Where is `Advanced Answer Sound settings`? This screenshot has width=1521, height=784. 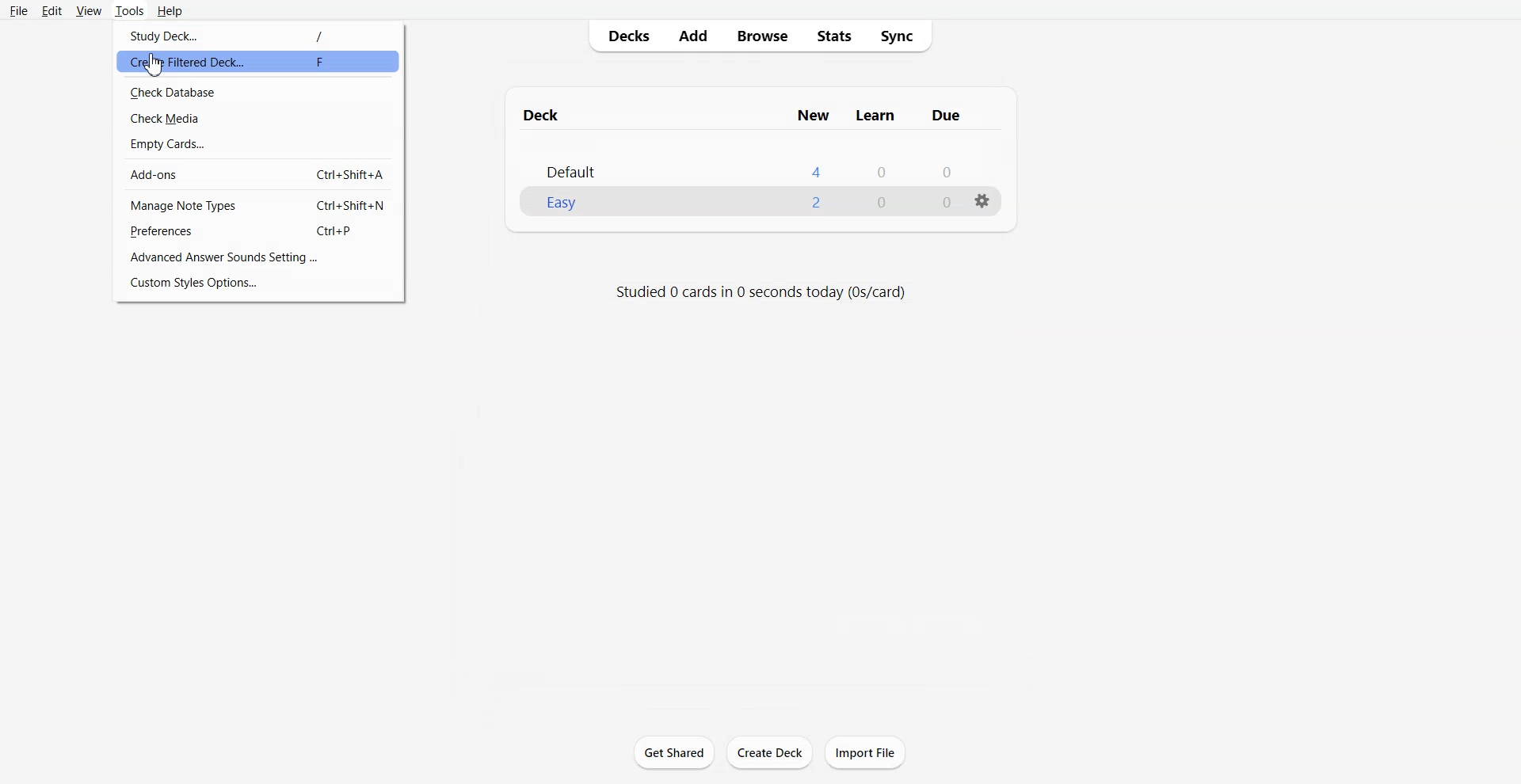
Advanced Answer Sound settings is located at coordinates (259, 257).